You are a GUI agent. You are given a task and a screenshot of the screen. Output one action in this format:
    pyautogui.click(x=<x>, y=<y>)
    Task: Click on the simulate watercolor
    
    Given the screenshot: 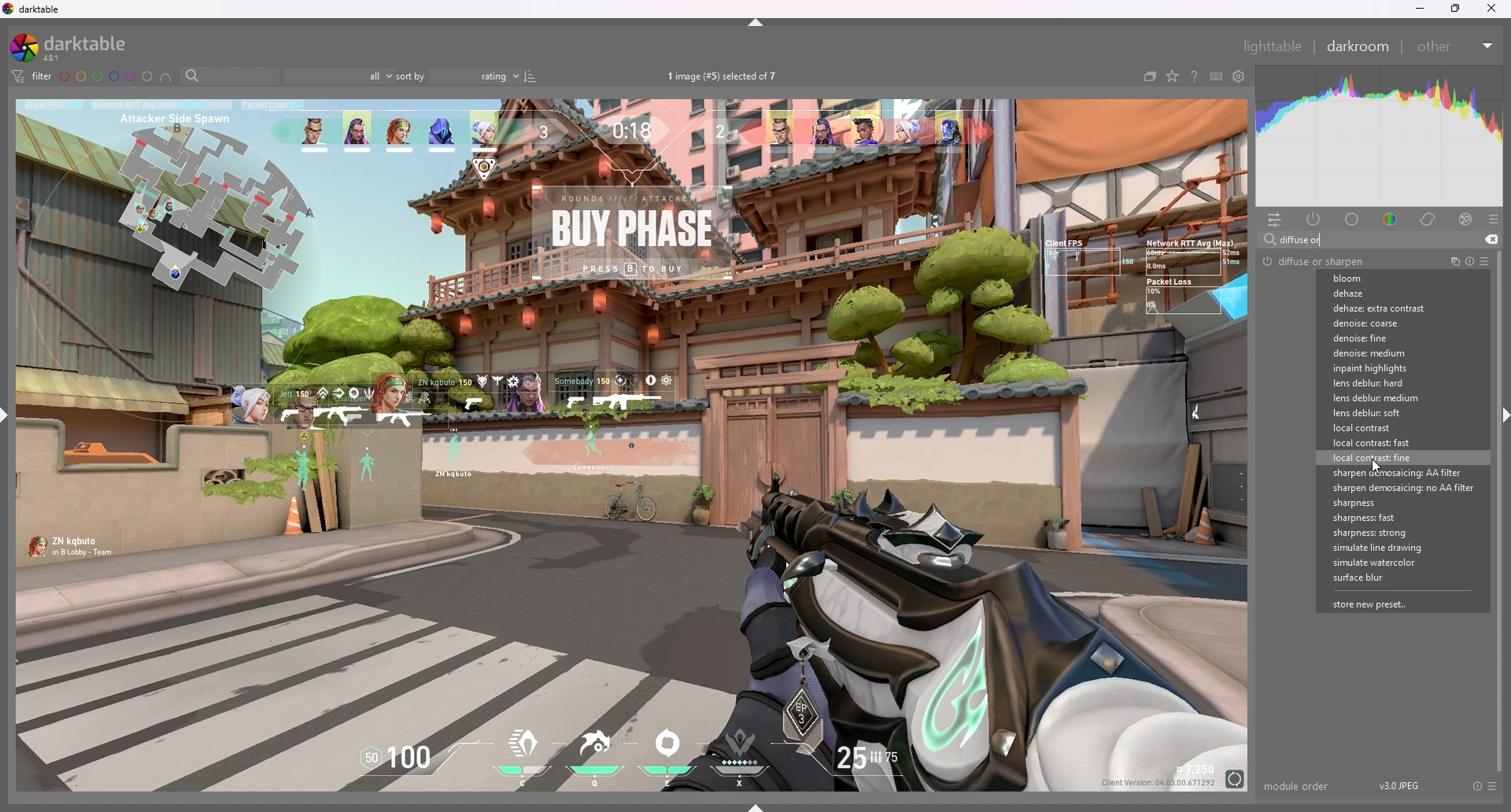 What is the action you would take?
    pyautogui.click(x=1382, y=561)
    